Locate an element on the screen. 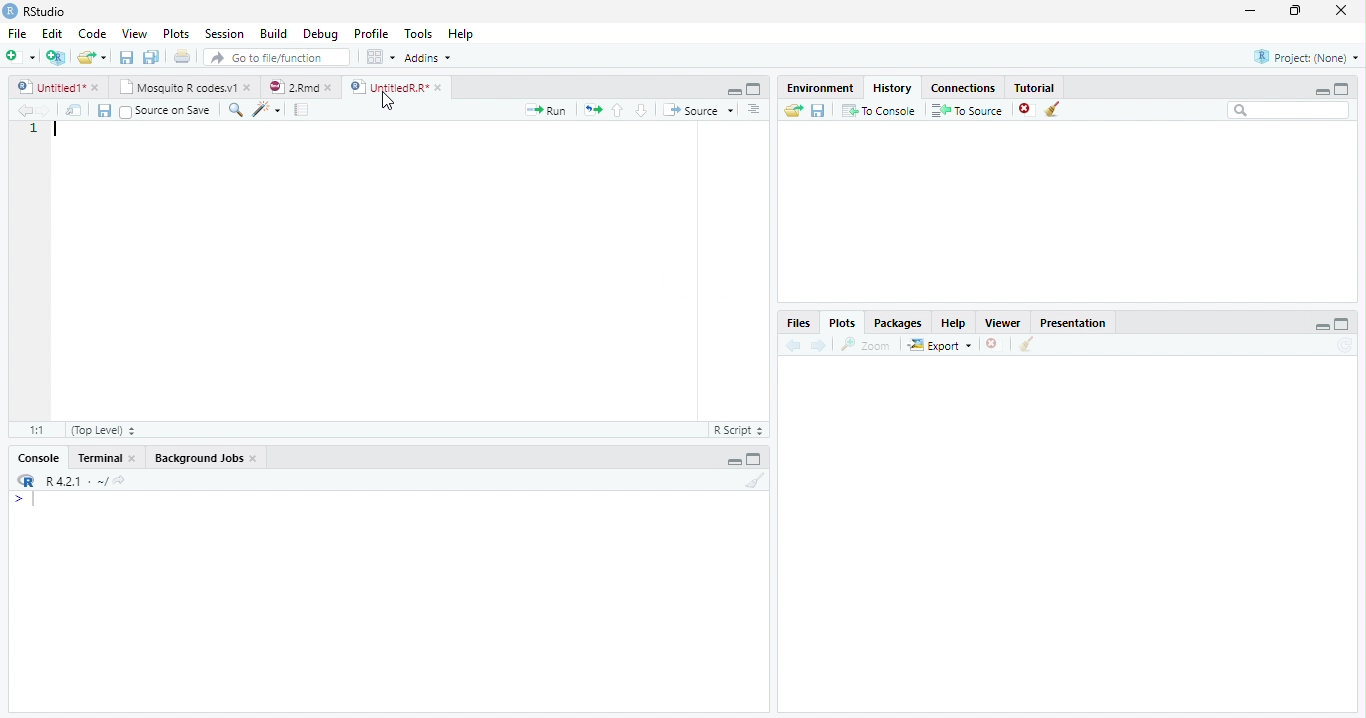 This screenshot has width=1366, height=718. Addins is located at coordinates (428, 58).